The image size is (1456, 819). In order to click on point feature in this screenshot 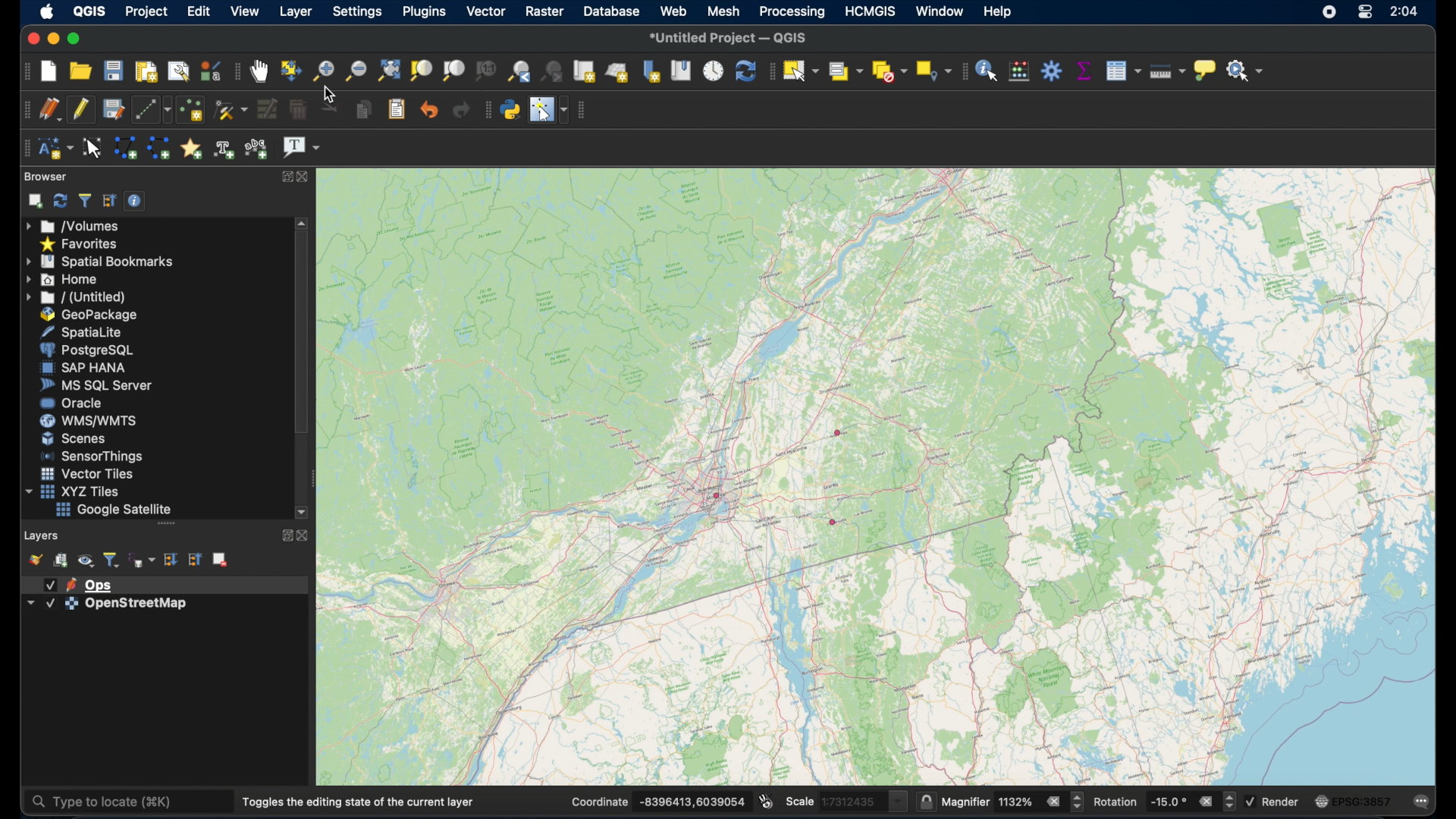, I will do `click(839, 432)`.